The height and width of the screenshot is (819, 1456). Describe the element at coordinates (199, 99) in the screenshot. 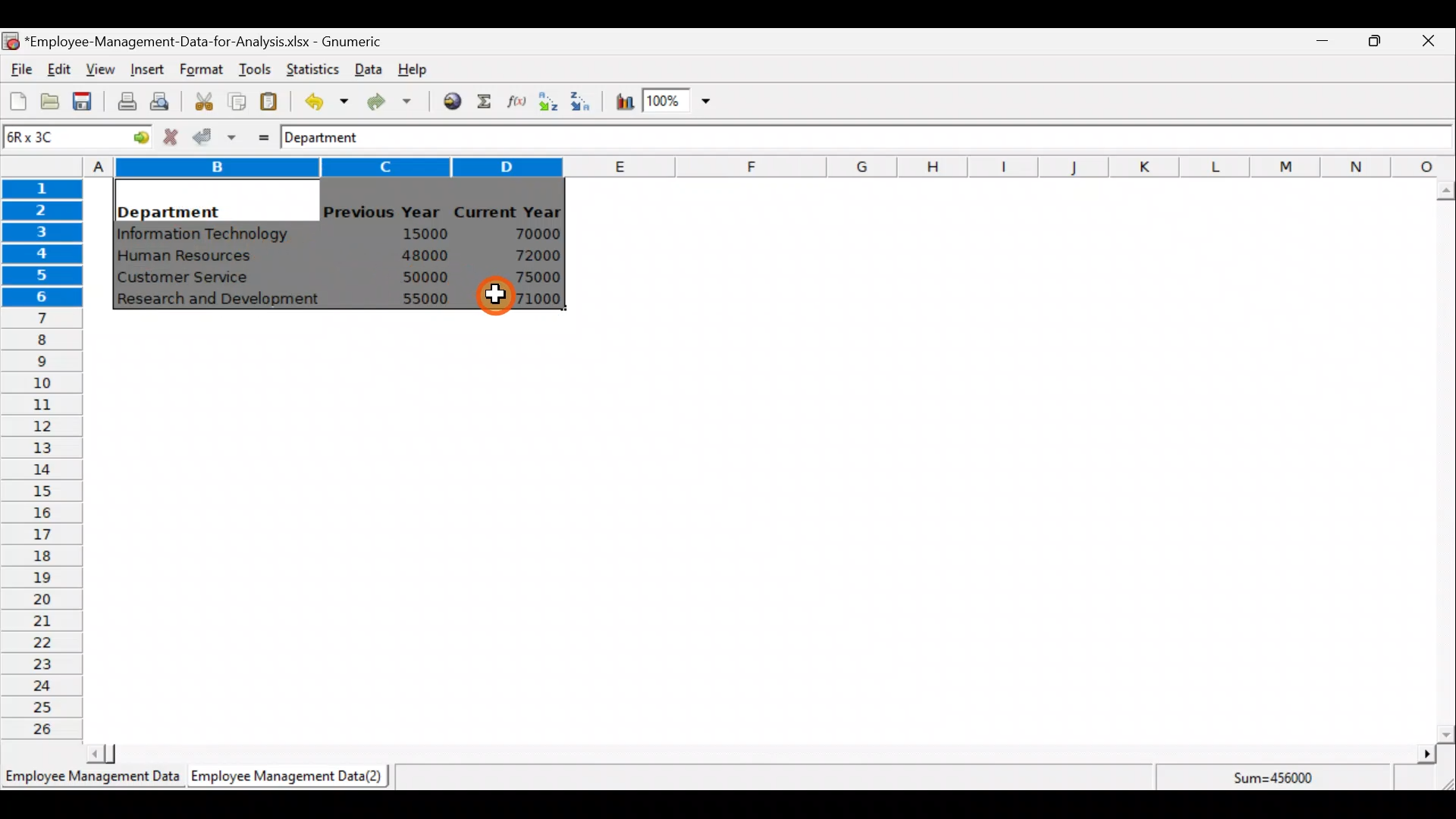

I see `Cut the selection` at that location.